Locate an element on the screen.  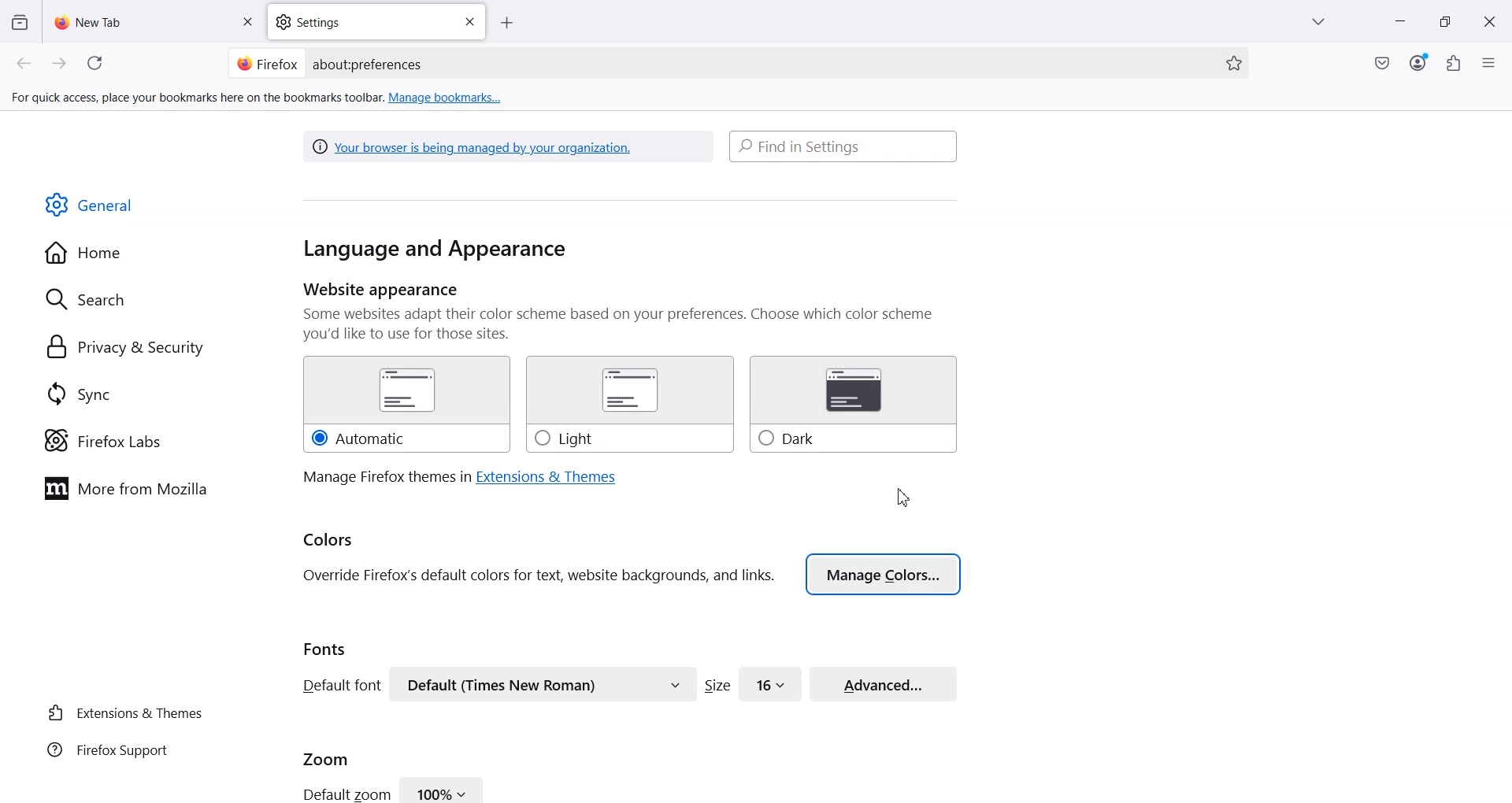
@ Automatic is located at coordinates (406, 405).